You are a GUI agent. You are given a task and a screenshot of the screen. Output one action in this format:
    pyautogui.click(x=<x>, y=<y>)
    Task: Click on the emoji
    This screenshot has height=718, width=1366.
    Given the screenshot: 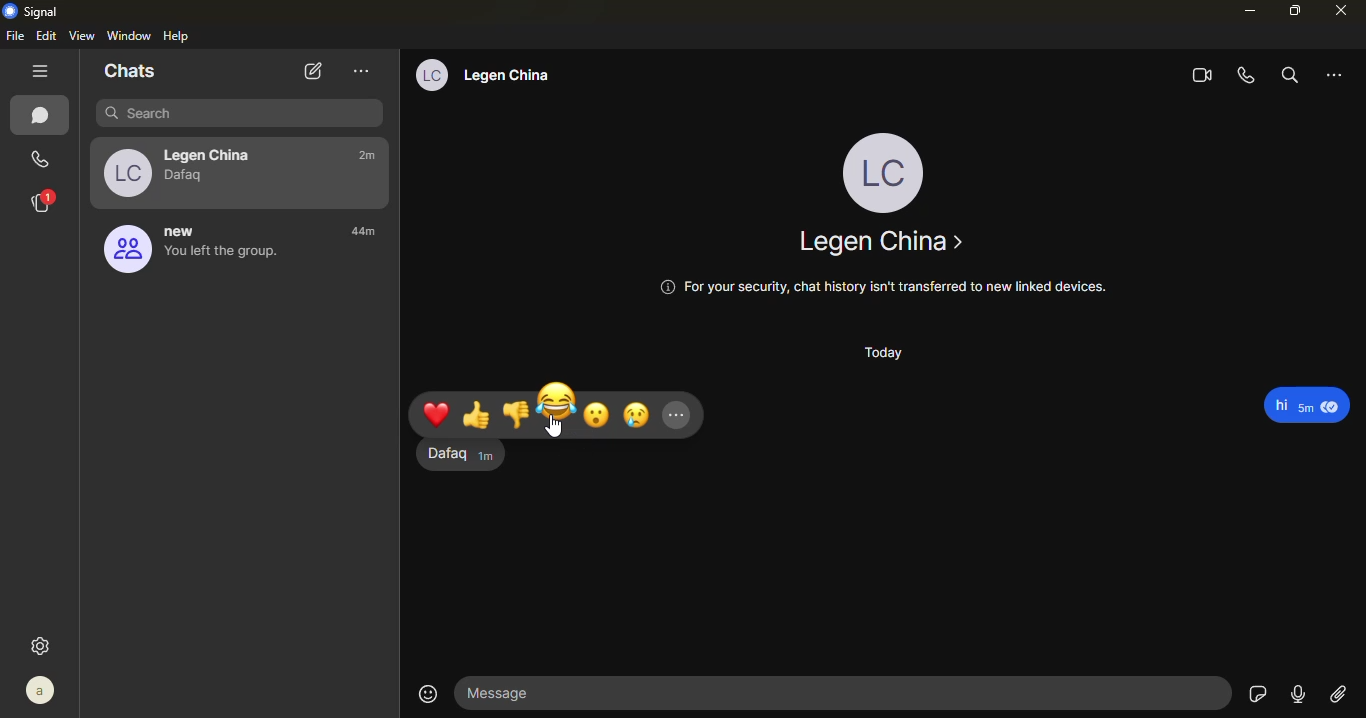 What is the action you would take?
    pyautogui.click(x=428, y=692)
    